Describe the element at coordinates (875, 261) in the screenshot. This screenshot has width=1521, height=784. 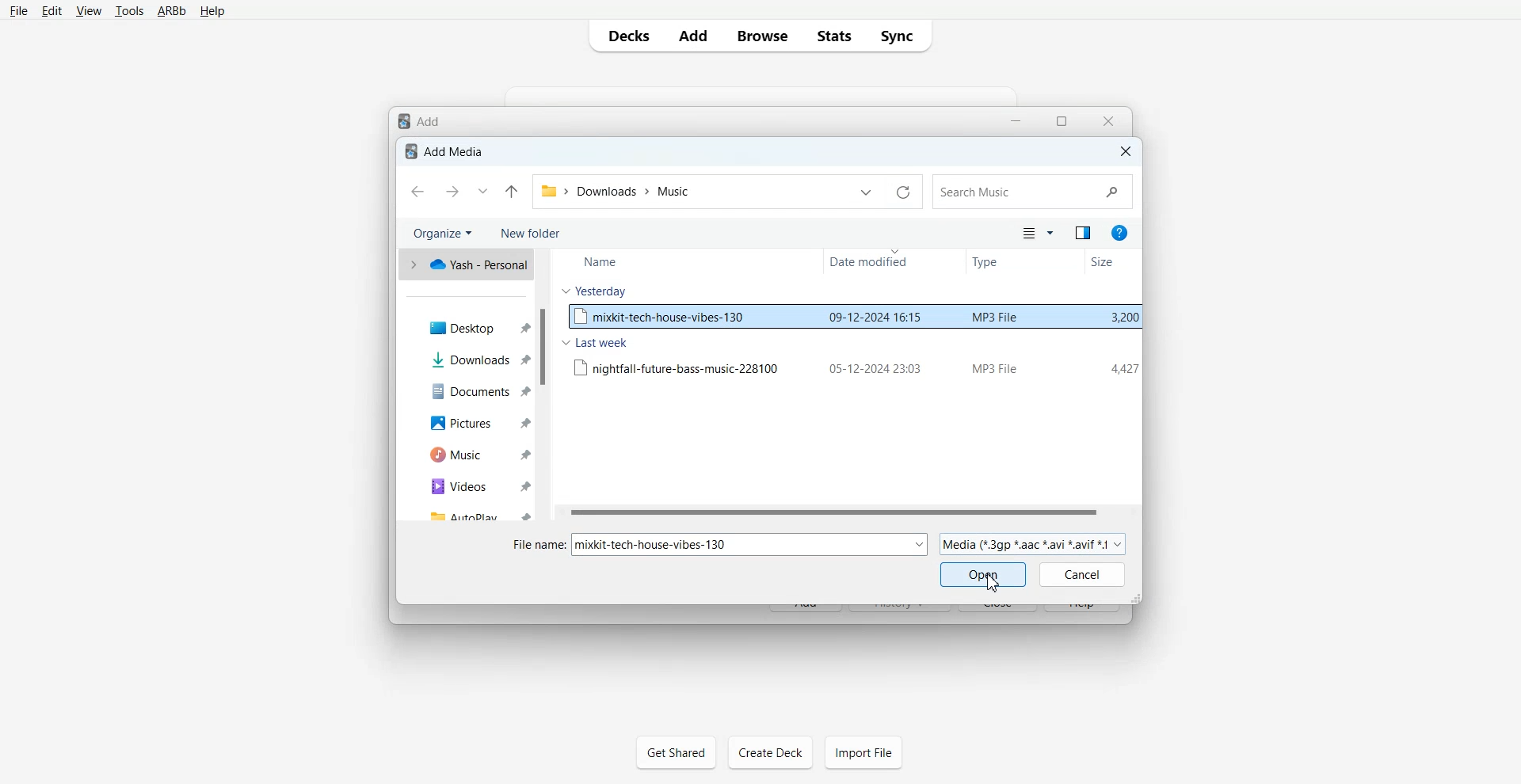
I see `Date modified` at that location.